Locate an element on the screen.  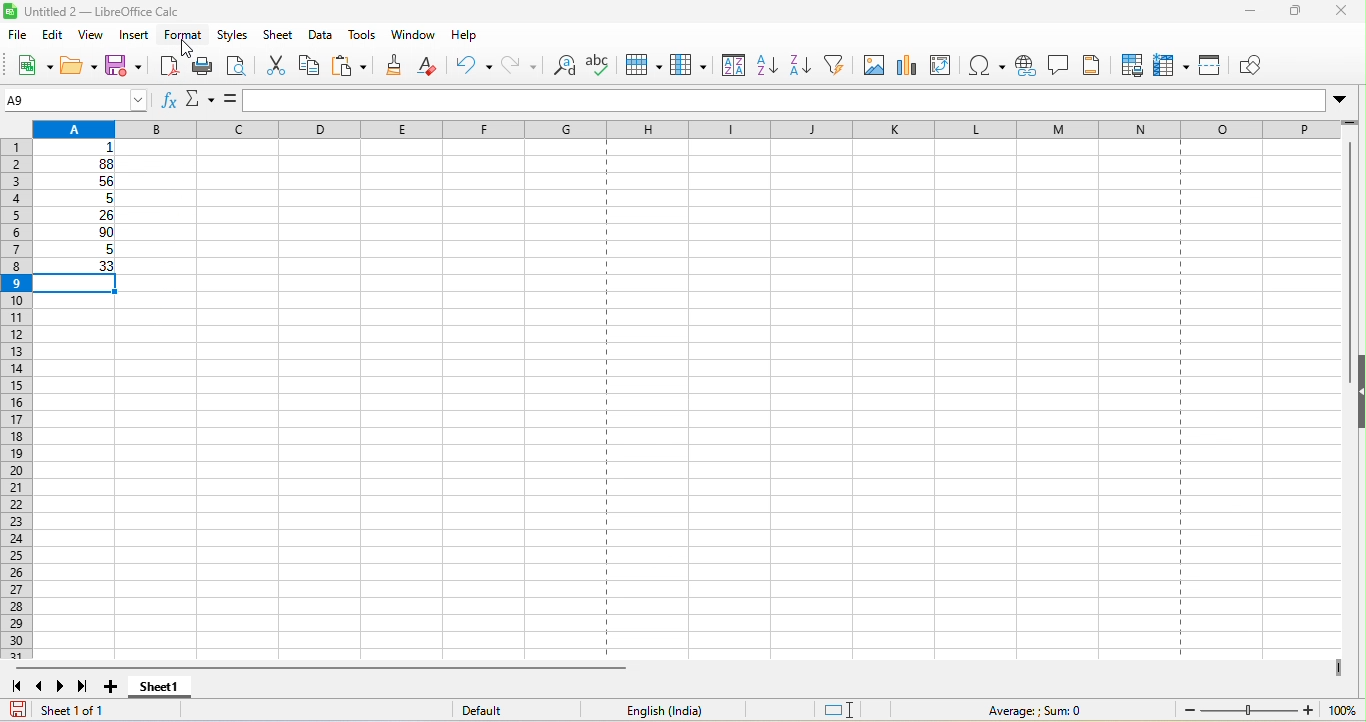
function wizard is located at coordinates (169, 101).